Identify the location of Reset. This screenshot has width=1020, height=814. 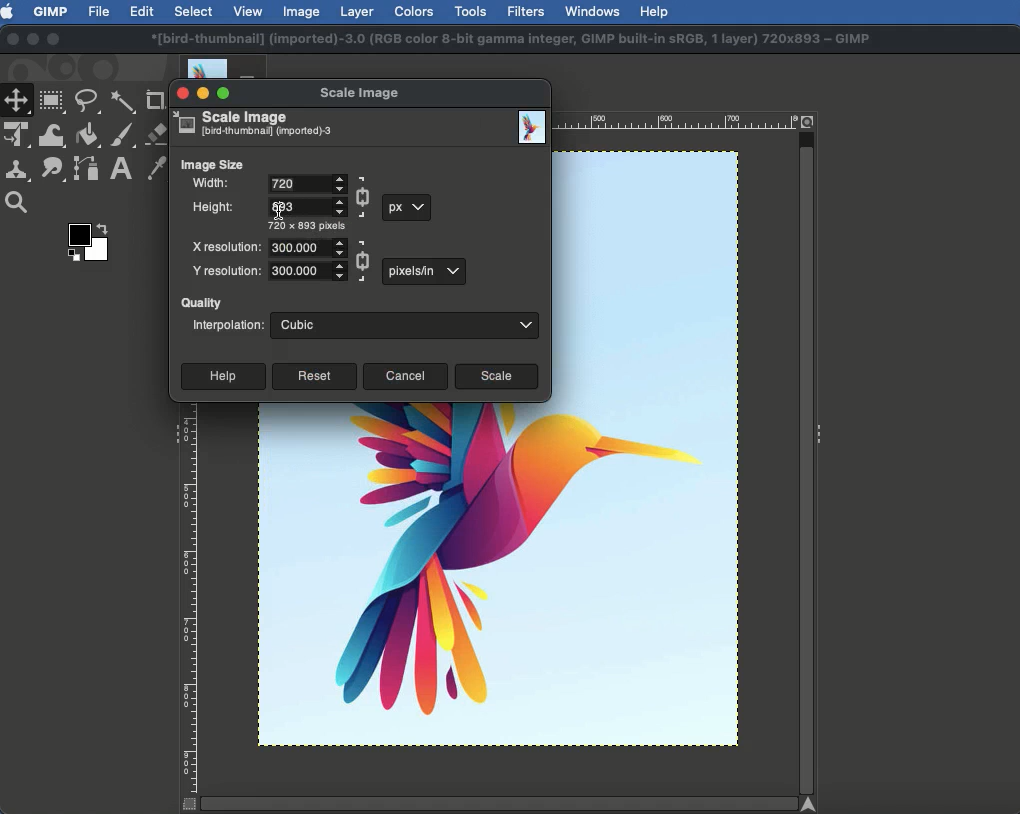
(313, 376).